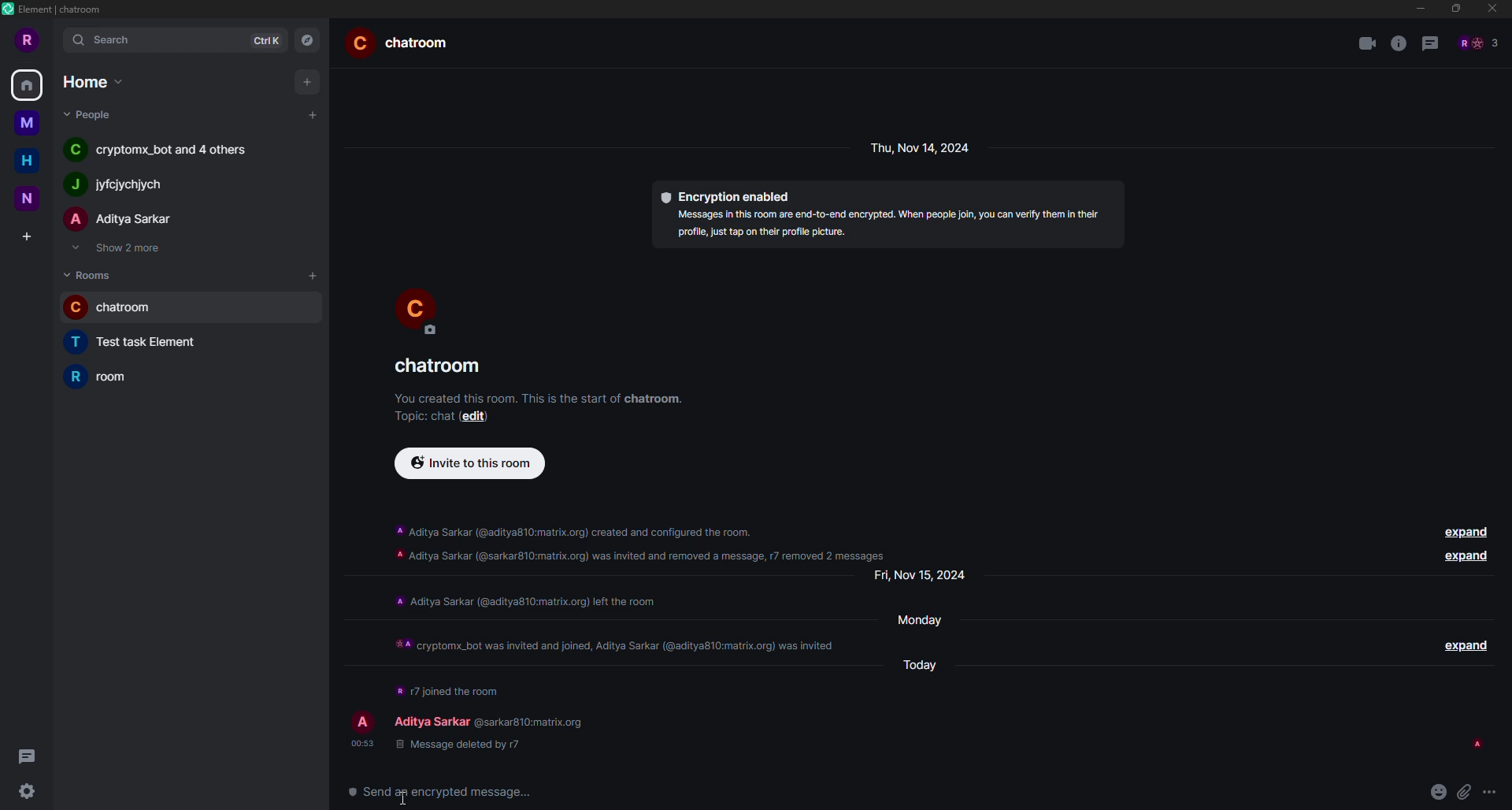 This screenshot has width=1512, height=810. What do you see at coordinates (1439, 790) in the screenshot?
I see `emoji` at bounding box center [1439, 790].